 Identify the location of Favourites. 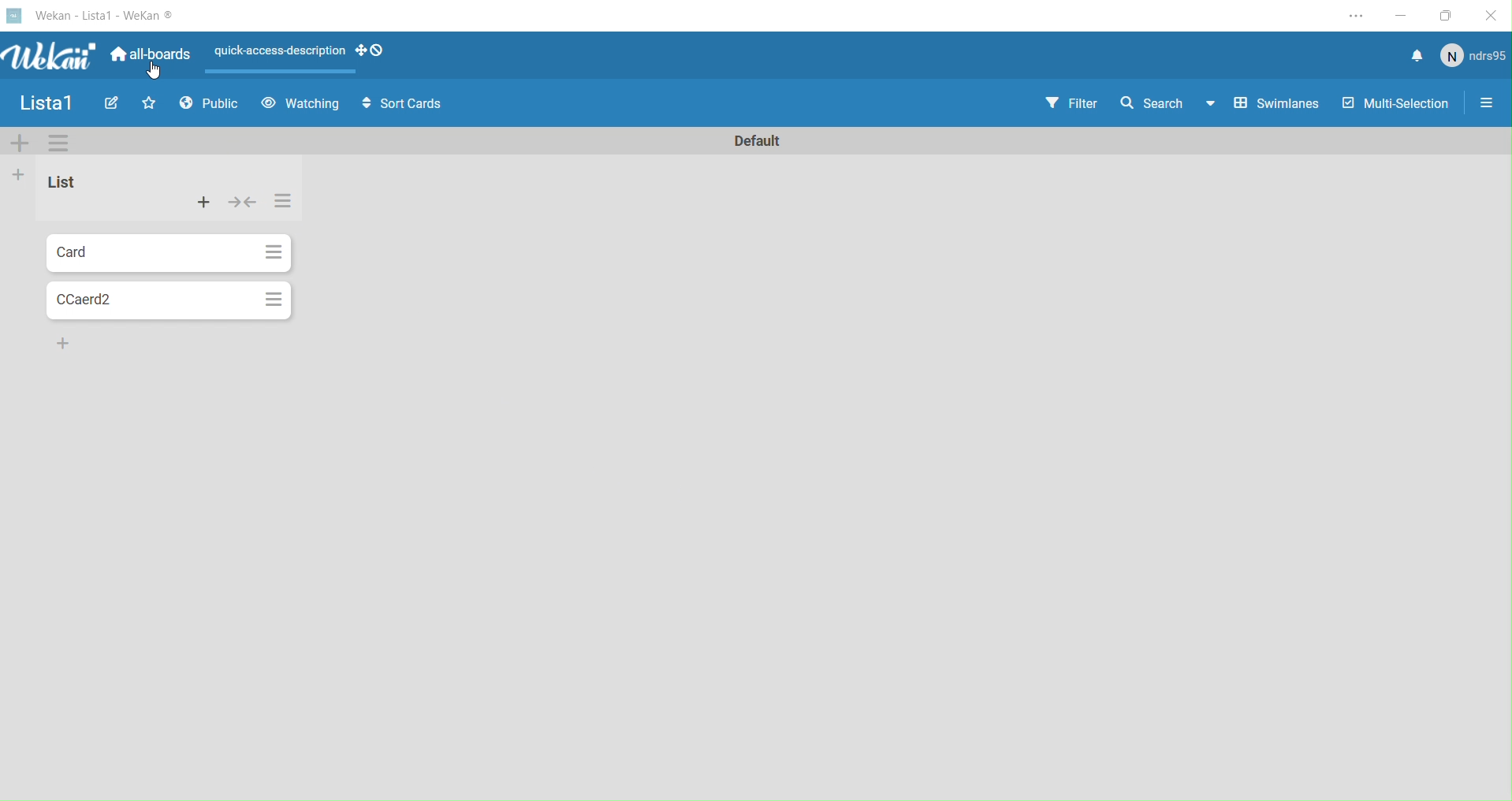
(147, 103).